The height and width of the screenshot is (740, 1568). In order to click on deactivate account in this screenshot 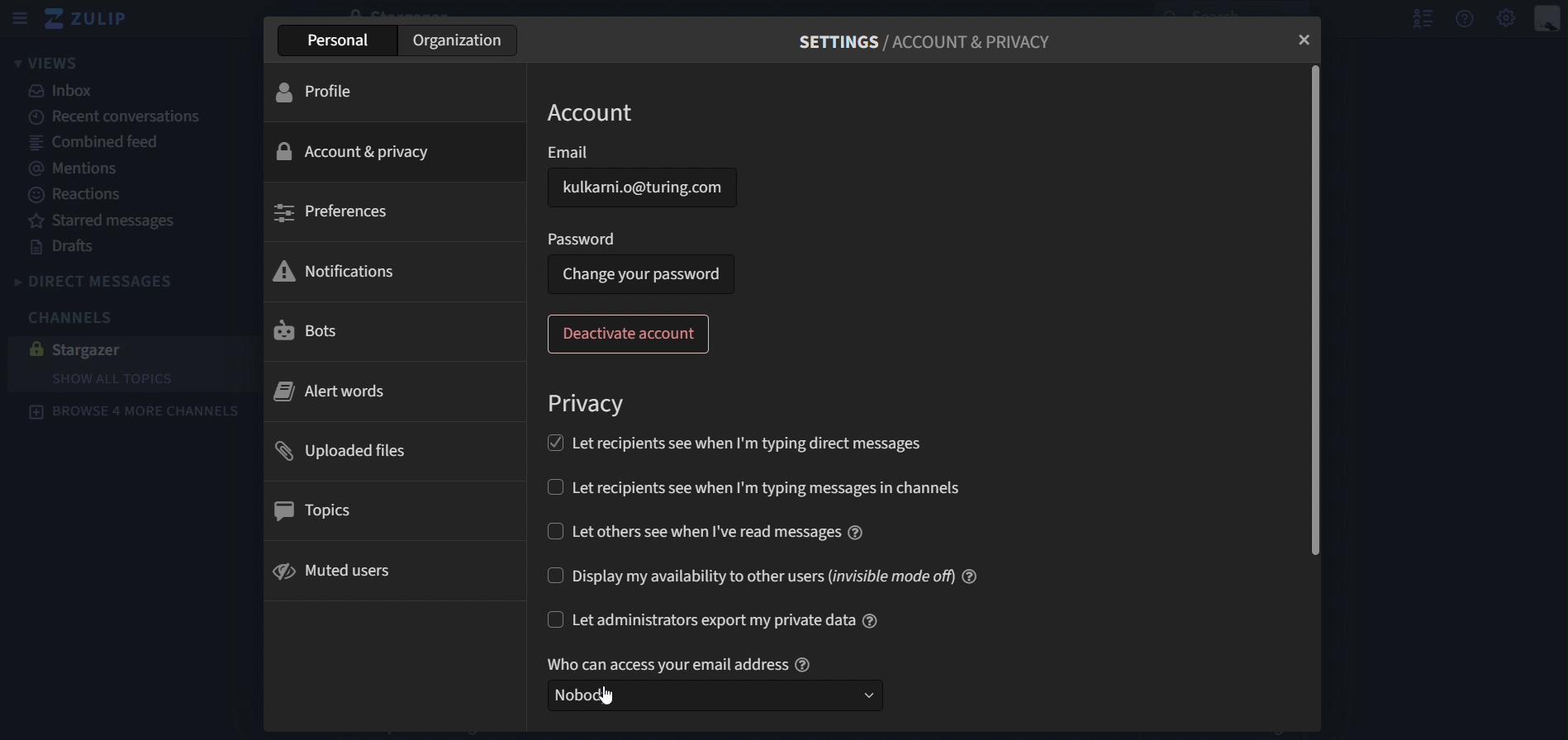, I will do `click(632, 334)`.